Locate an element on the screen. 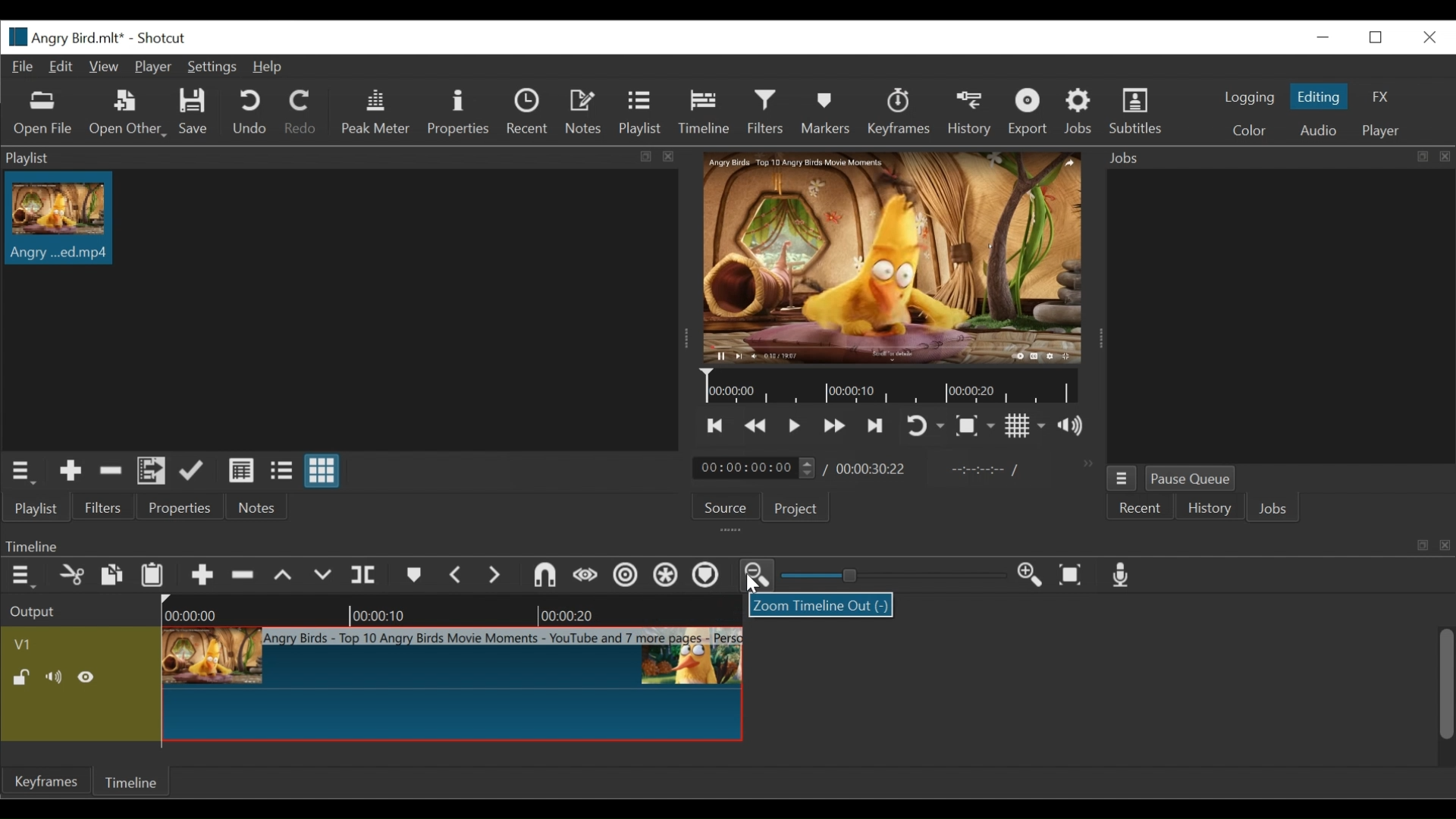 The height and width of the screenshot is (819, 1456). Open Other is located at coordinates (127, 112).